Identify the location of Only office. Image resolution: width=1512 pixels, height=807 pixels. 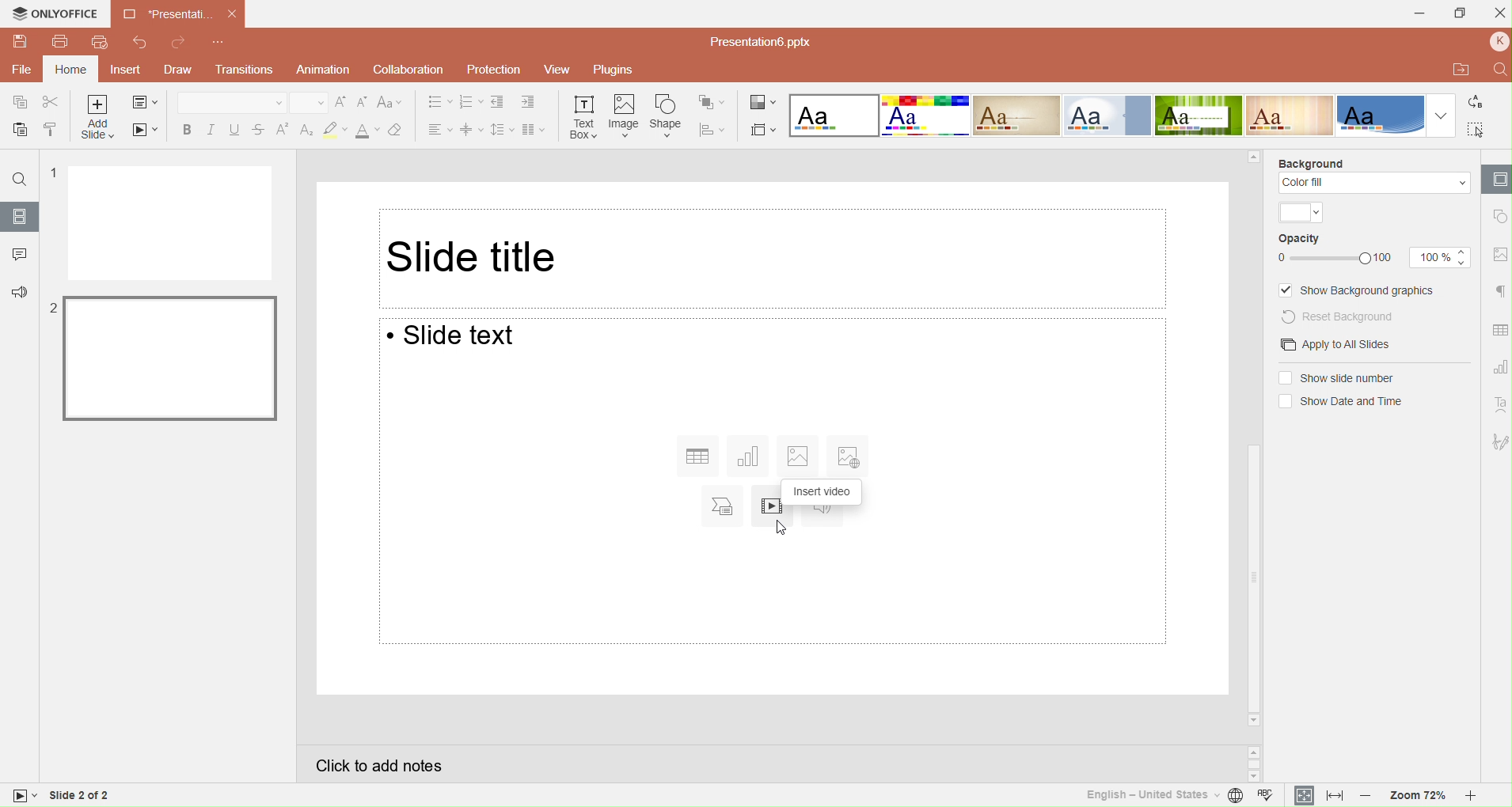
(54, 14).